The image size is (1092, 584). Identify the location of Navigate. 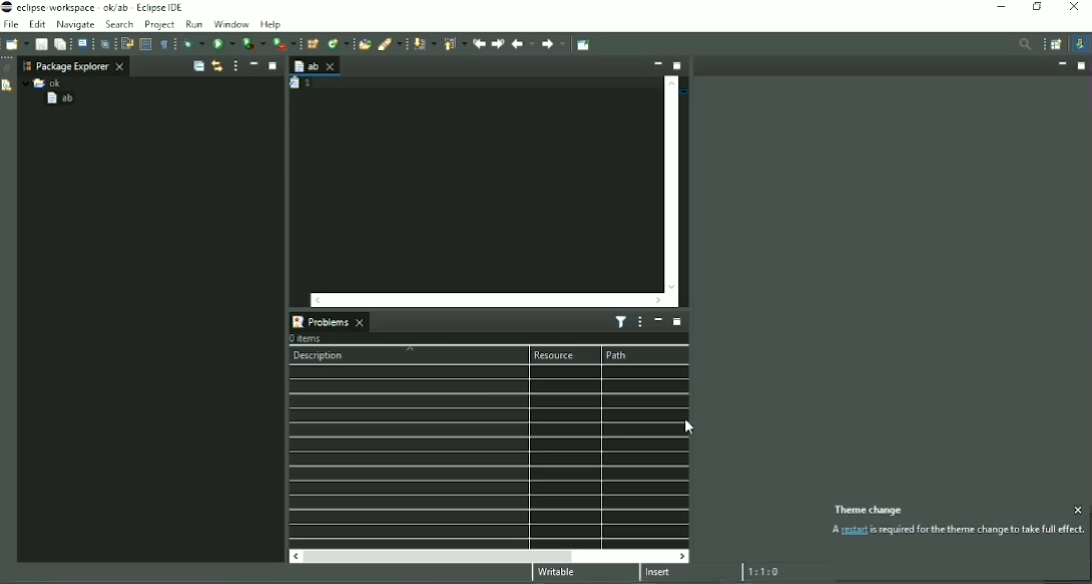
(75, 25).